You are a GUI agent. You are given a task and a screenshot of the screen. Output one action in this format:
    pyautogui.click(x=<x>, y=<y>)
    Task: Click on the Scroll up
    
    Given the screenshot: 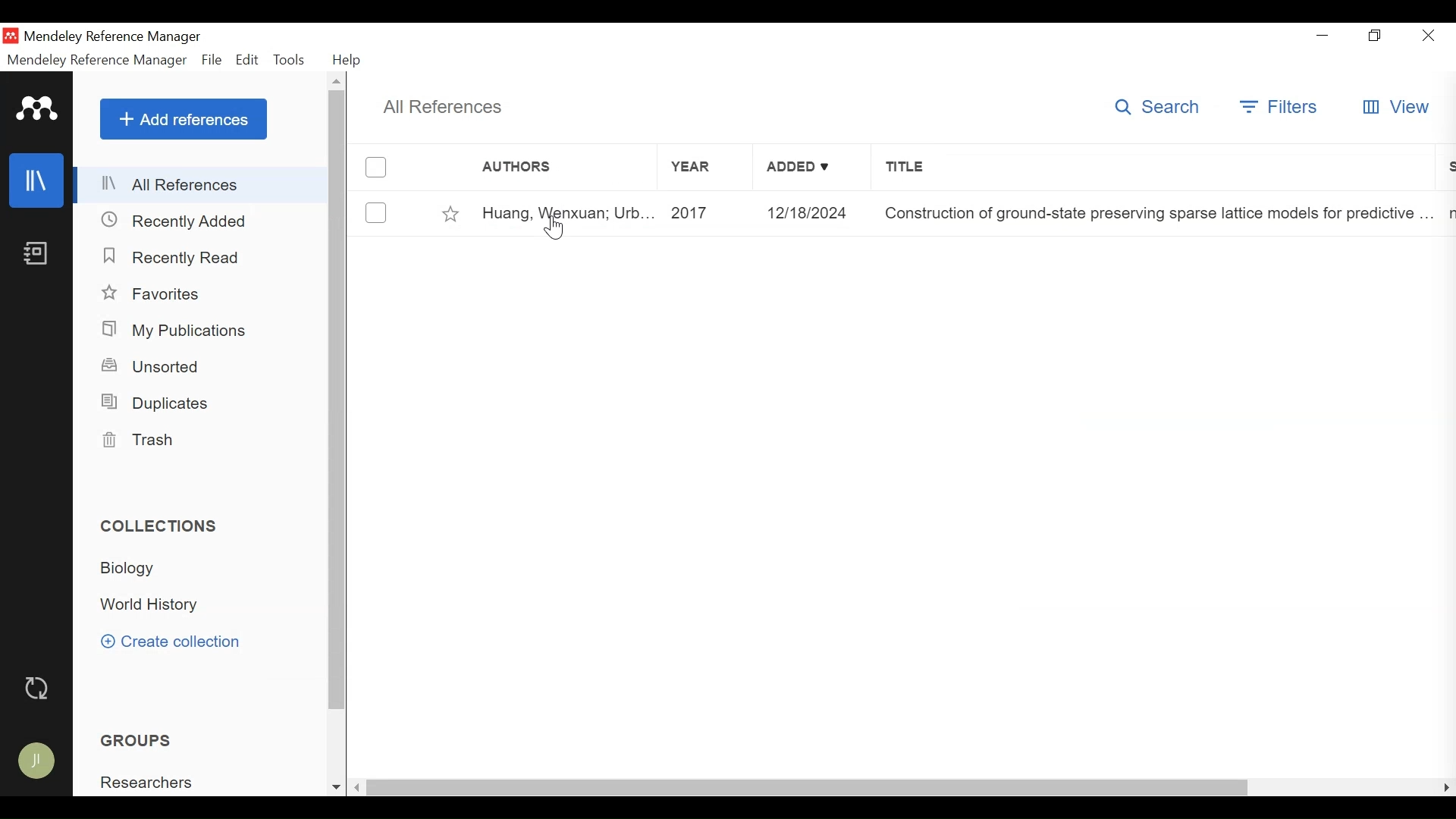 What is the action you would take?
    pyautogui.click(x=339, y=80)
    